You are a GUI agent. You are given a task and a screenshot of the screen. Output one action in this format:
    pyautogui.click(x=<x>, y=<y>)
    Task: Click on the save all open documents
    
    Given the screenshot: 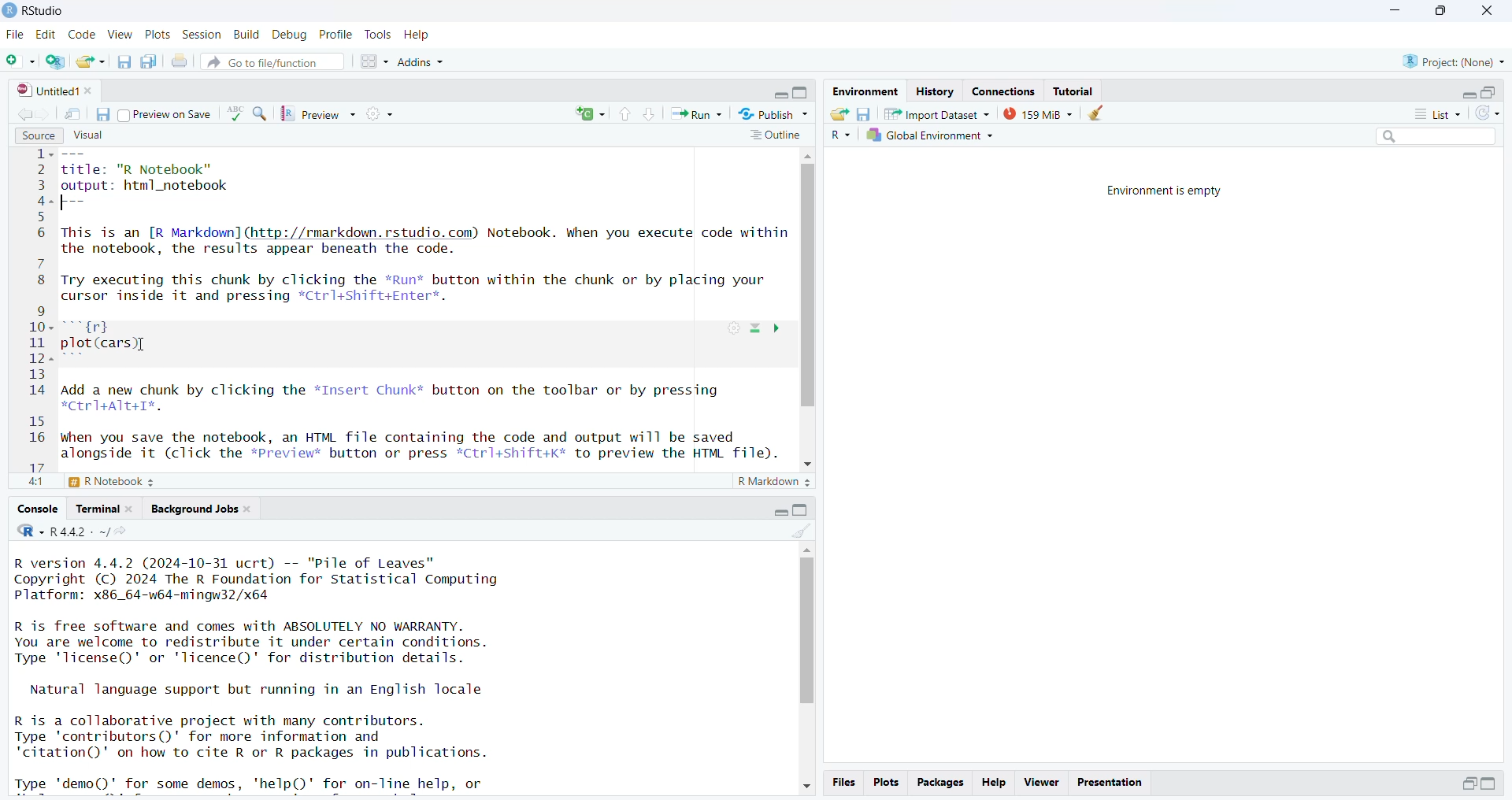 What is the action you would take?
    pyautogui.click(x=150, y=61)
    